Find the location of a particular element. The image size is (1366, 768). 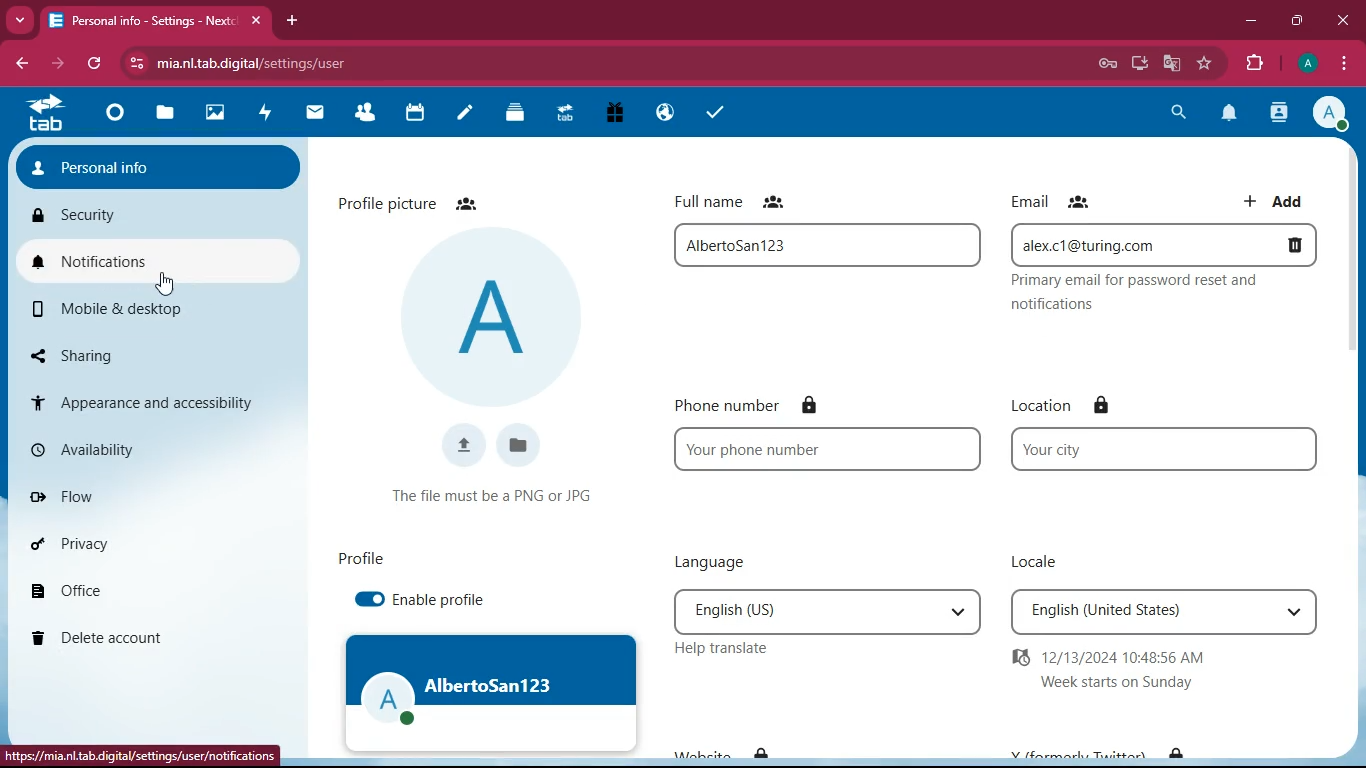

view site information is located at coordinates (134, 65).